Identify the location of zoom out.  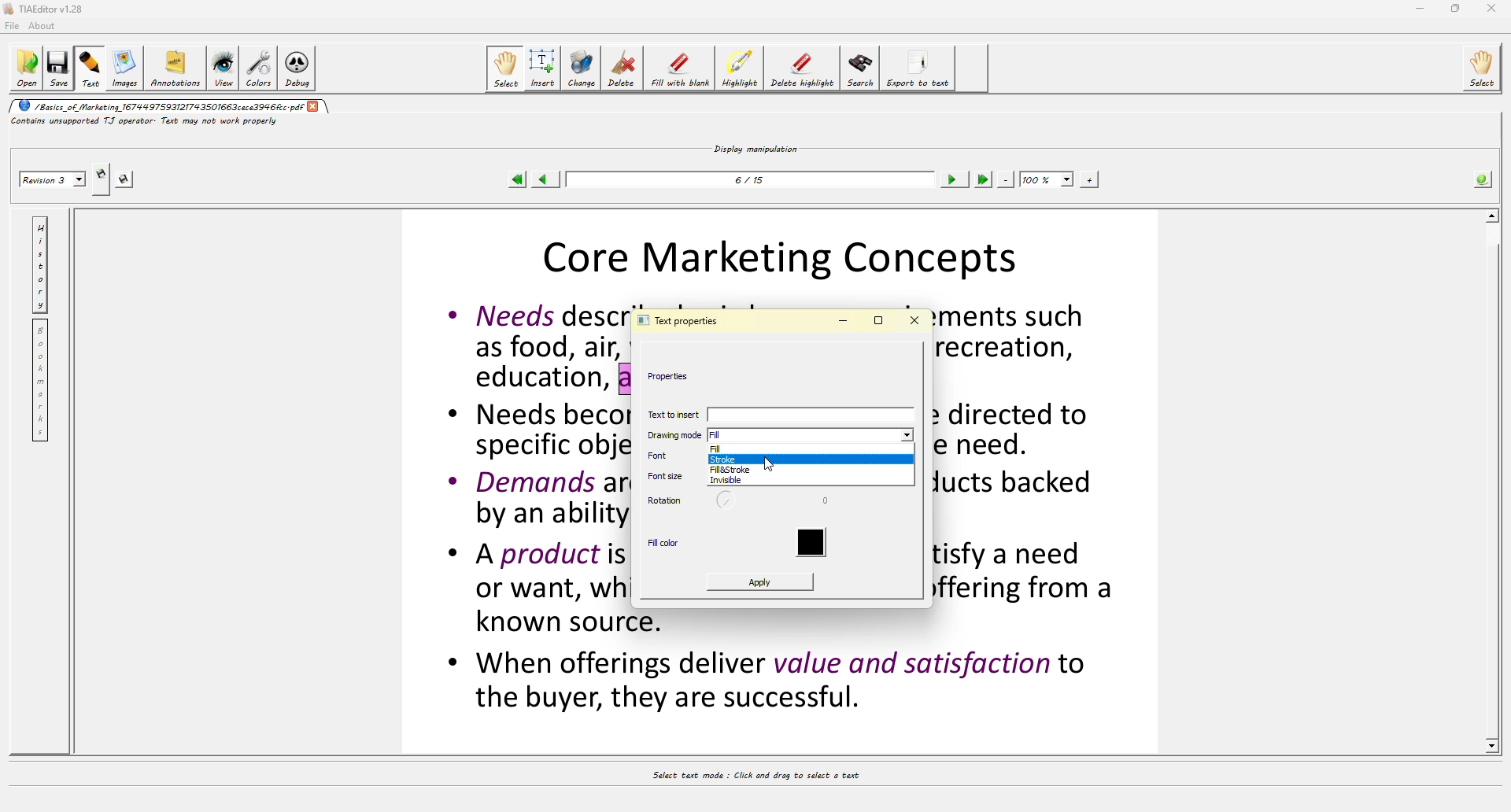
(1007, 179).